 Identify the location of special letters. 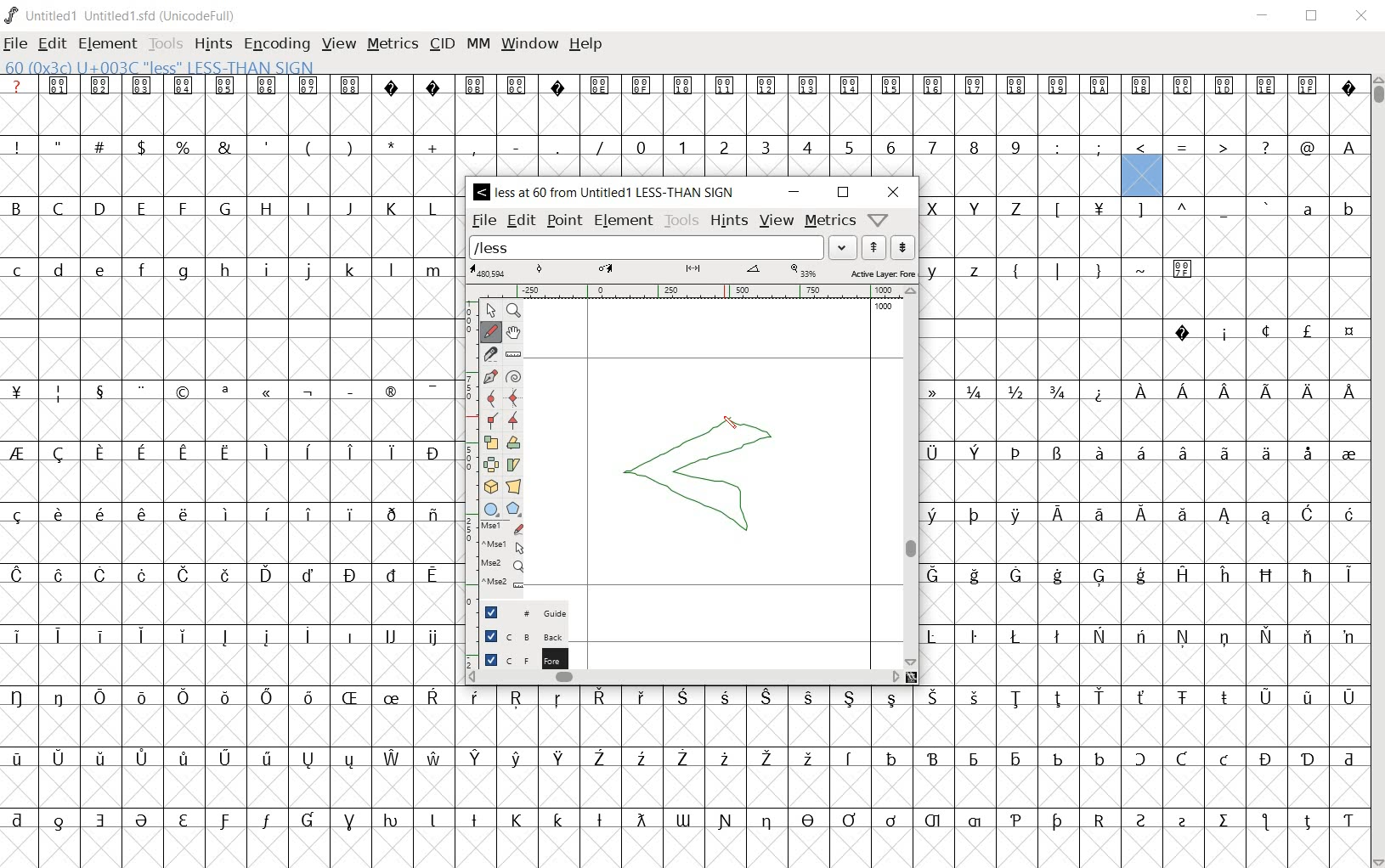
(1142, 449).